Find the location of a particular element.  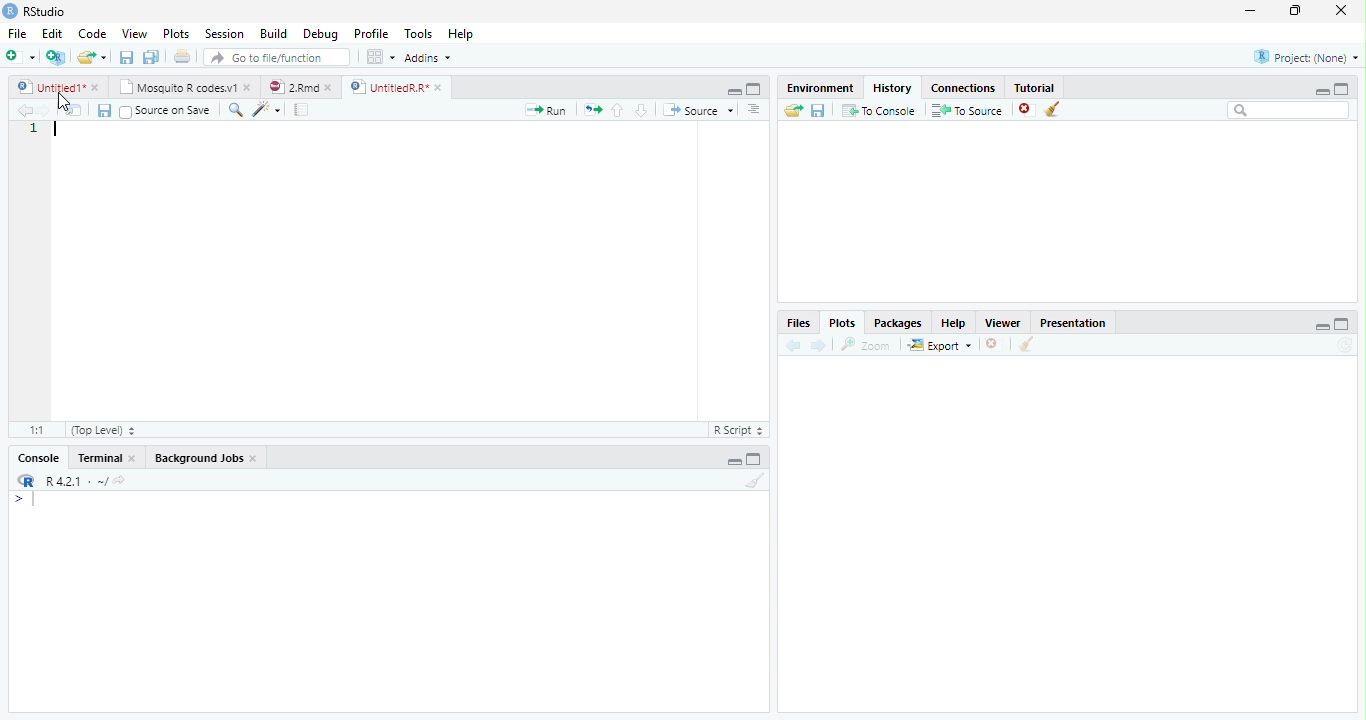

Help is located at coordinates (461, 33).